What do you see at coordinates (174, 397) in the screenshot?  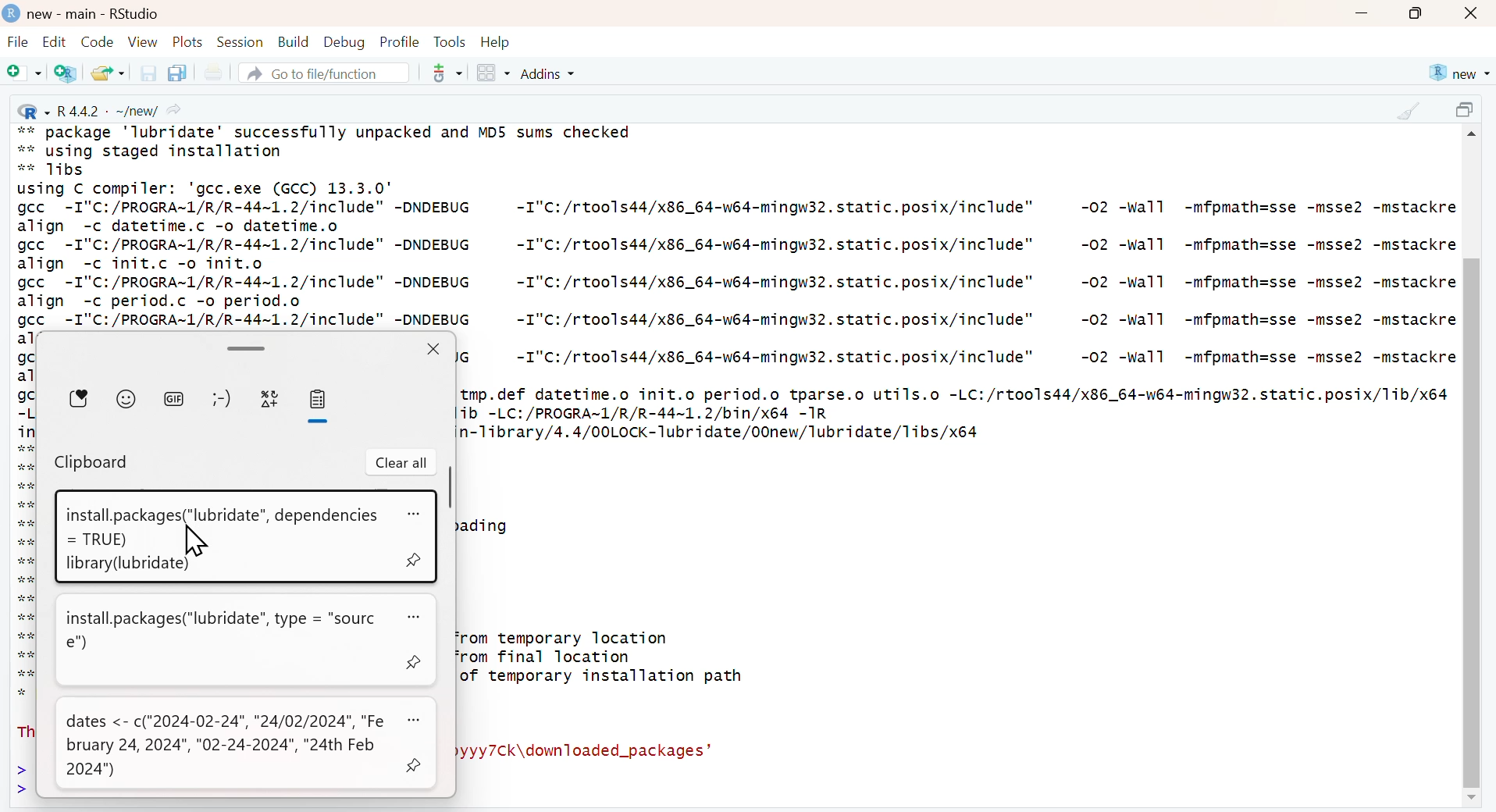 I see `GIF` at bounding box center [174, 397].